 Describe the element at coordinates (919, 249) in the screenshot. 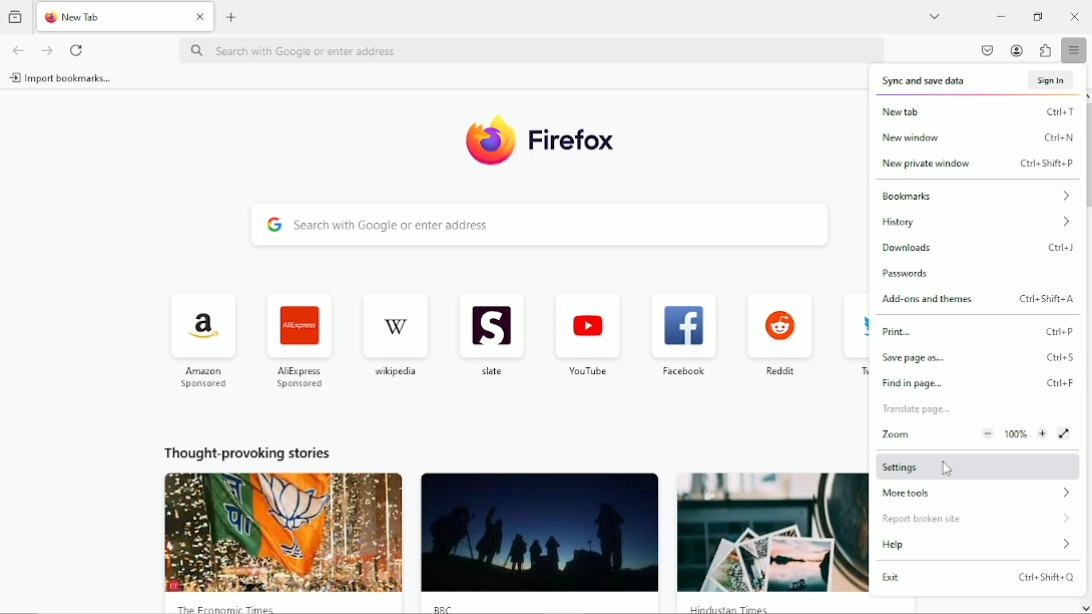

I see `downloads` at that location.